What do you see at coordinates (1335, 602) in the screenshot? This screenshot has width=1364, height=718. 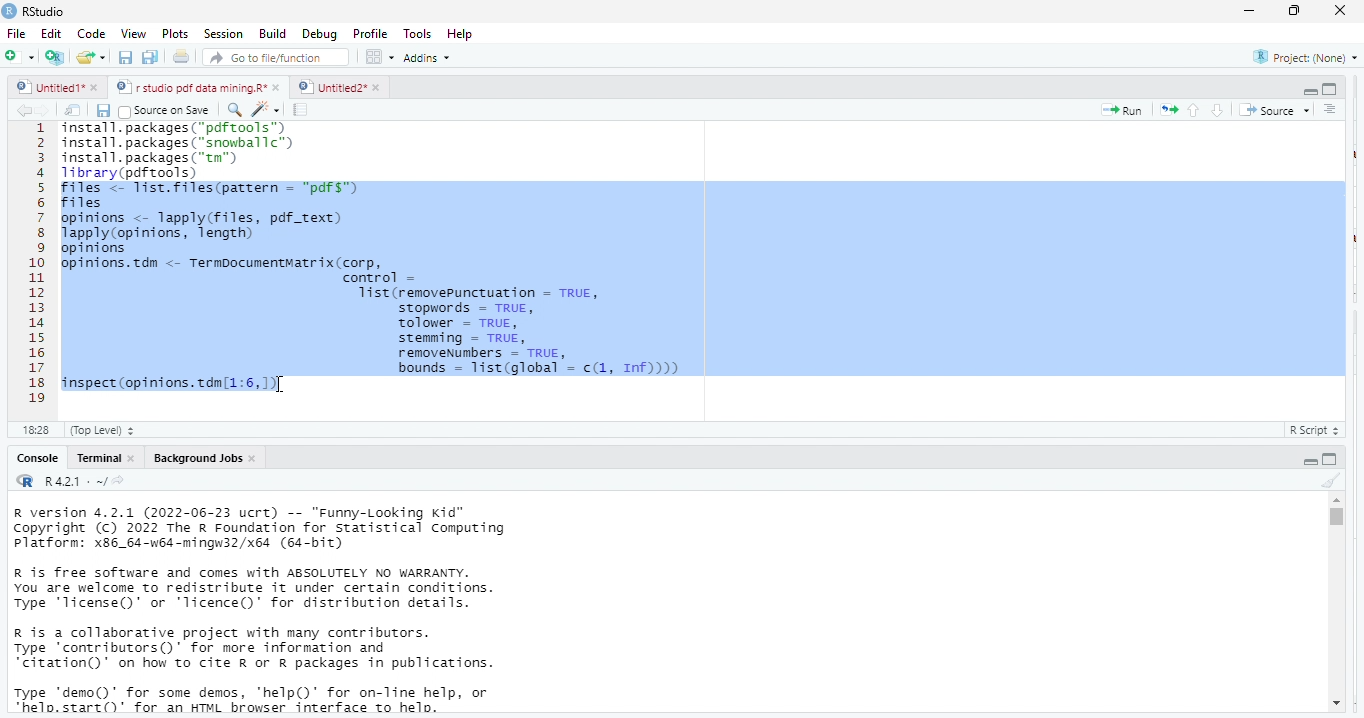 I see `vertical scroll bar` at bounding box center [1335, 602].